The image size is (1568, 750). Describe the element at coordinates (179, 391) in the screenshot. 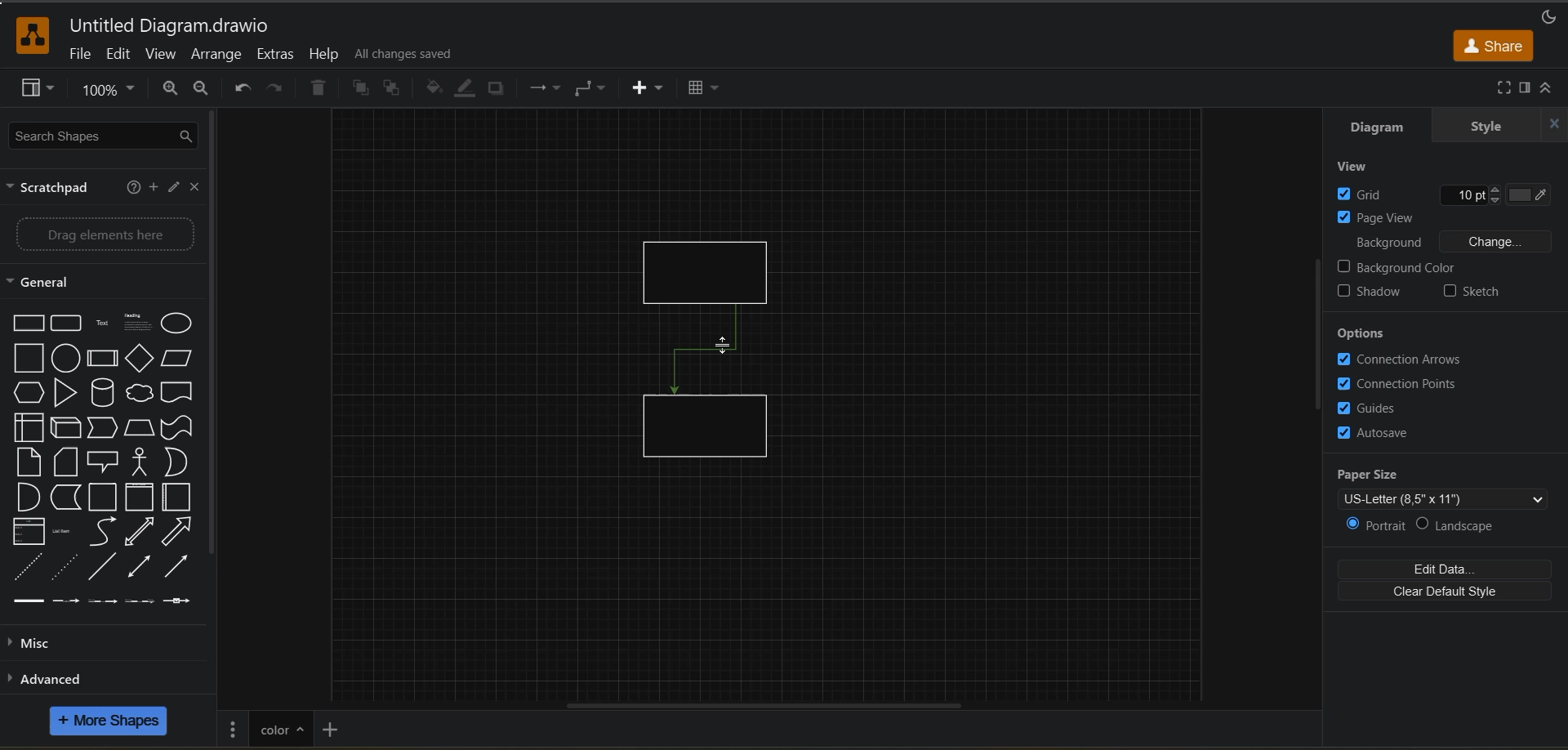

I see `Document` at that location.